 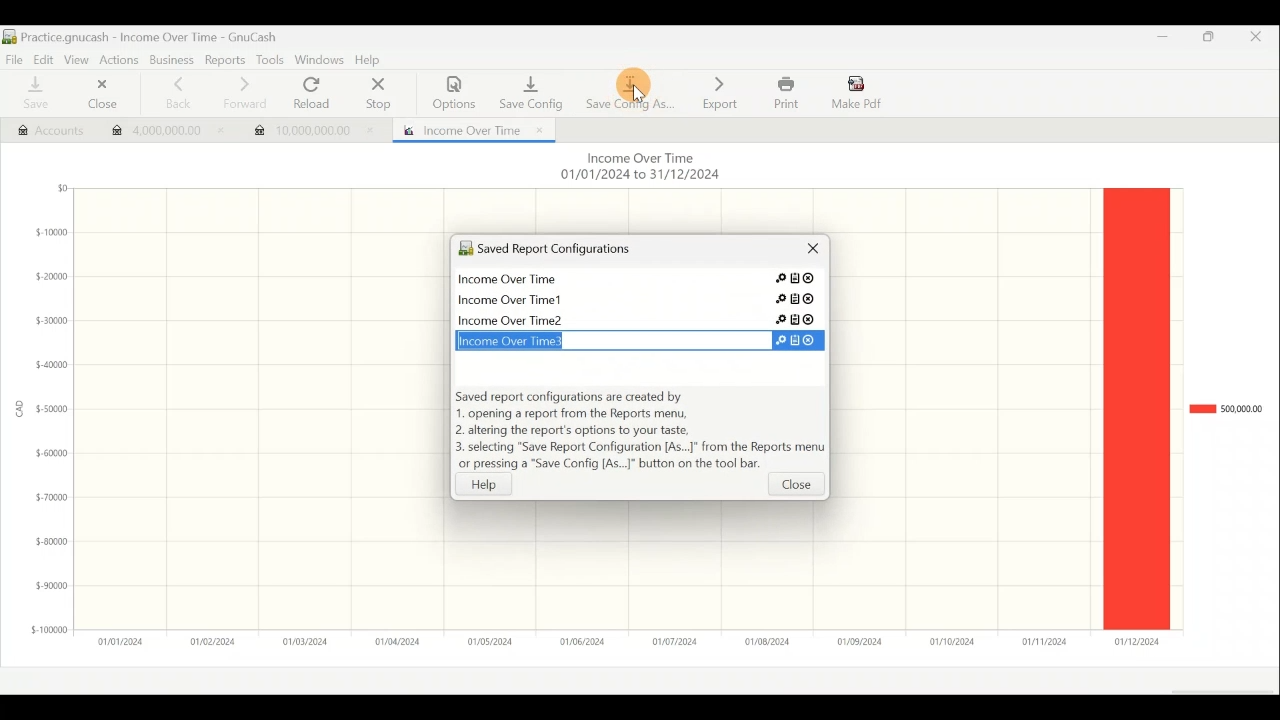 What do you see at coordinates (637, 319) in the screenshot?
I see `Saved report 3` at bounding box center [637, 319].